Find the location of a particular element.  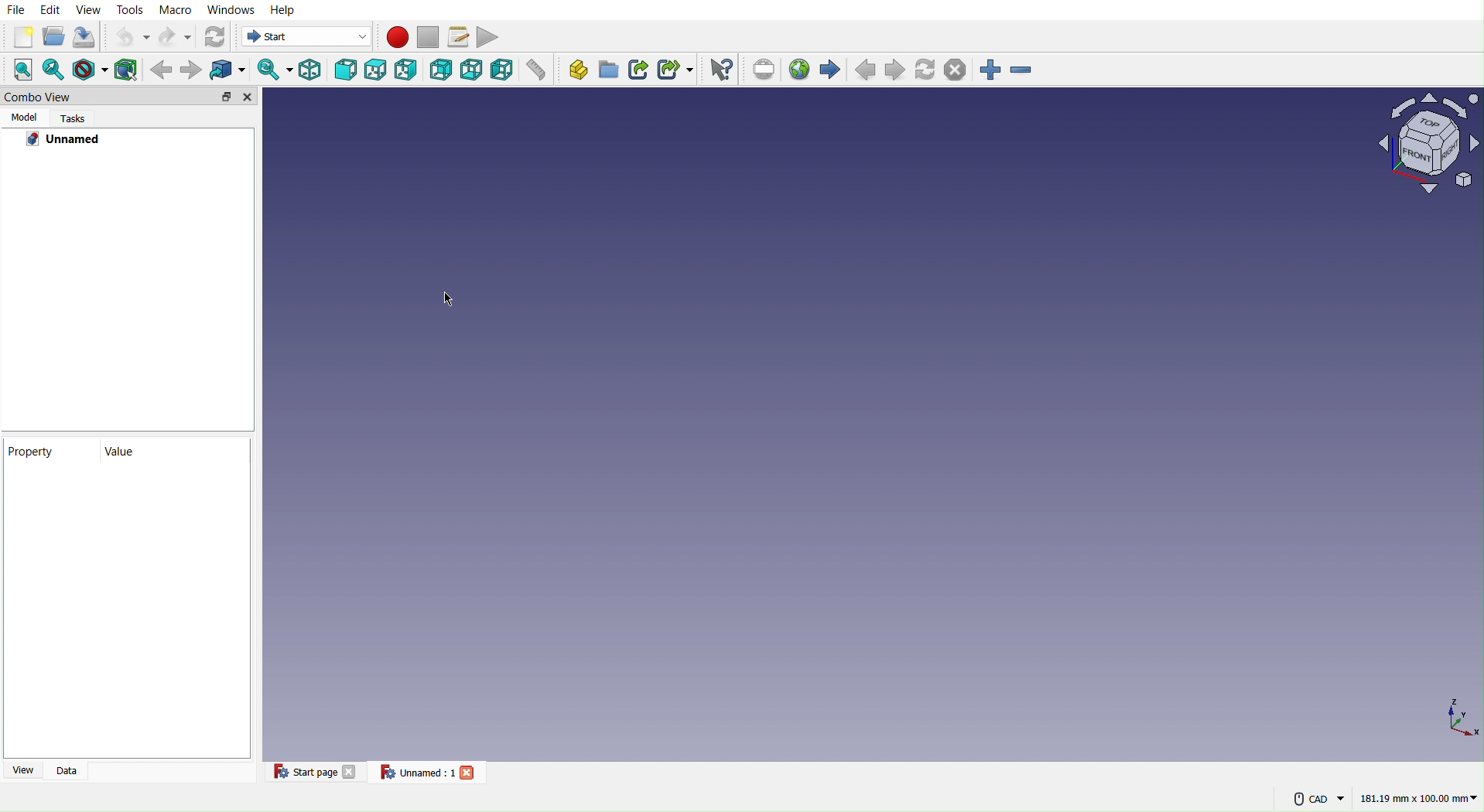

Start page is located at coordinates (315, 773).